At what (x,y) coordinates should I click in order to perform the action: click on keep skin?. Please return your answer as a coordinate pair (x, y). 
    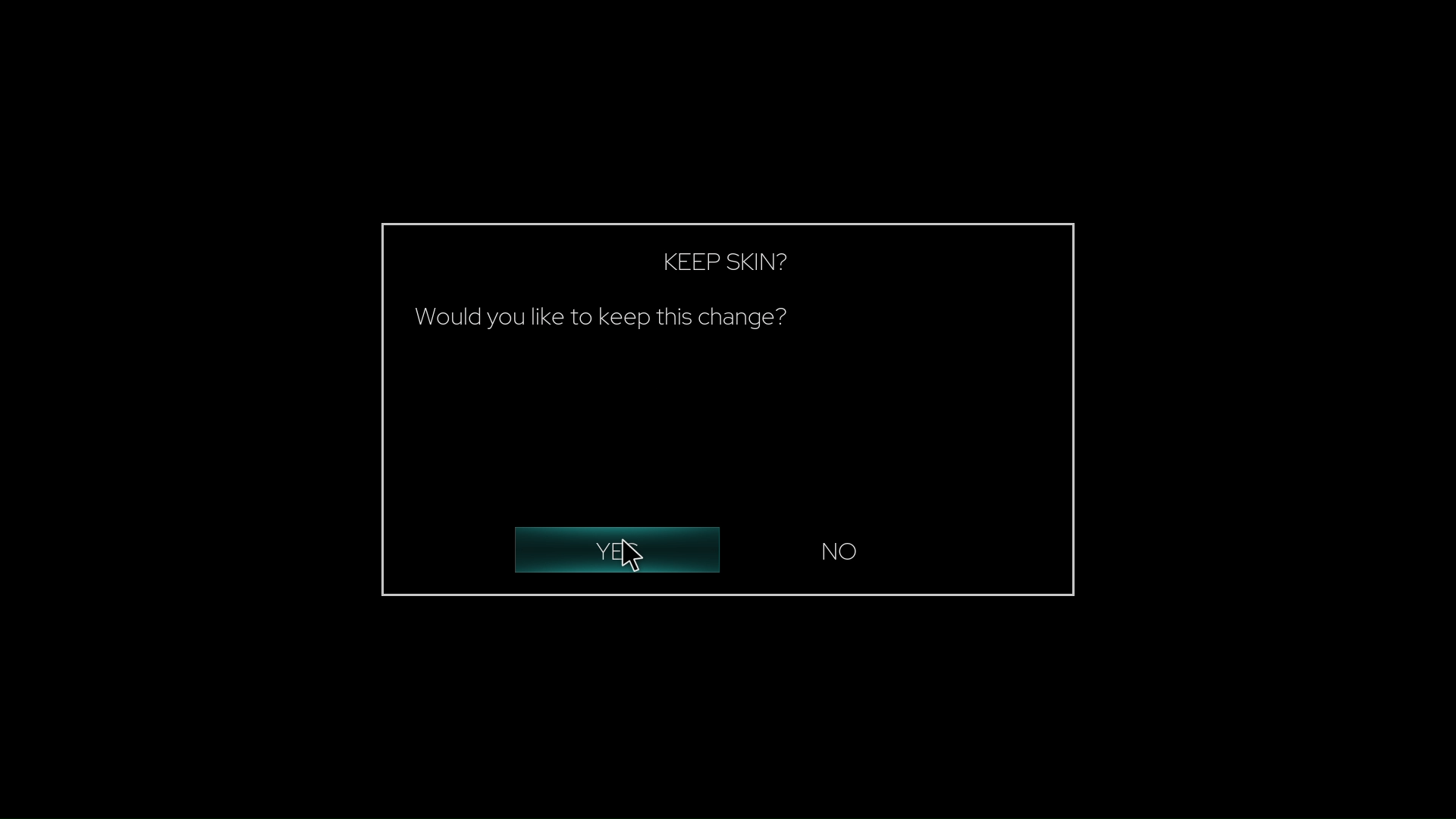
    Looking at the image, I should click on (740, 265).